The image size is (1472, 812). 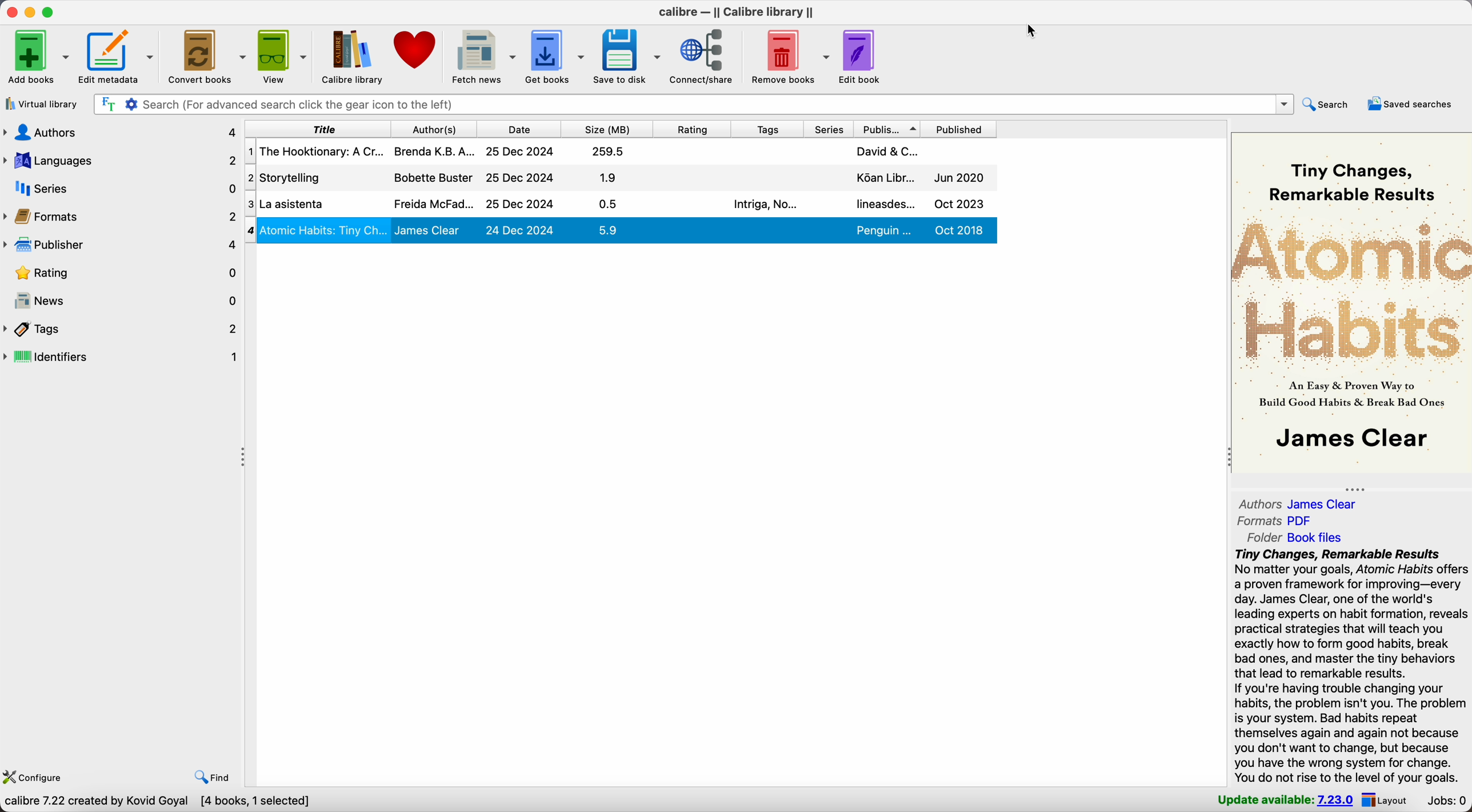 What do you see at coordinates (889, 129) in the screenshot?
I see `click on publisher` at bounding box center [889, 129].